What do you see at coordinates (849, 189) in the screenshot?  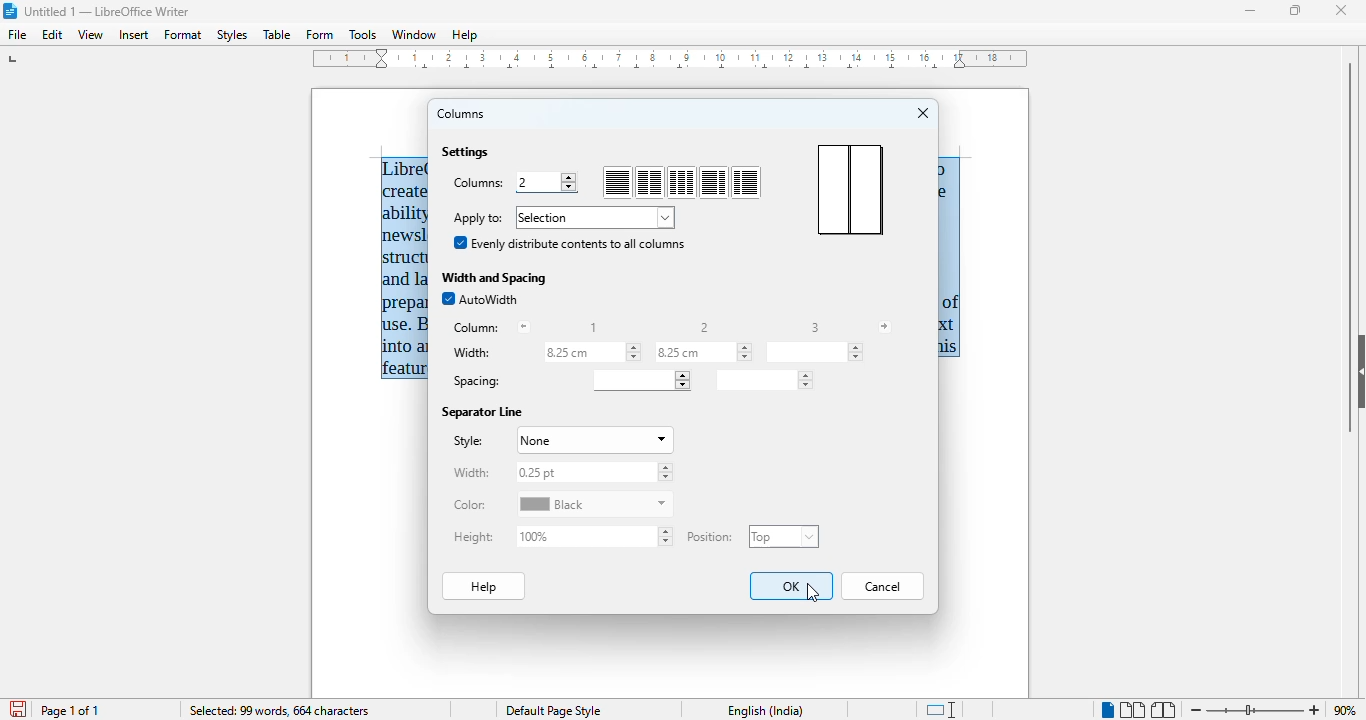 I see `page view with 2 columns` at bounding box center [849, 189].